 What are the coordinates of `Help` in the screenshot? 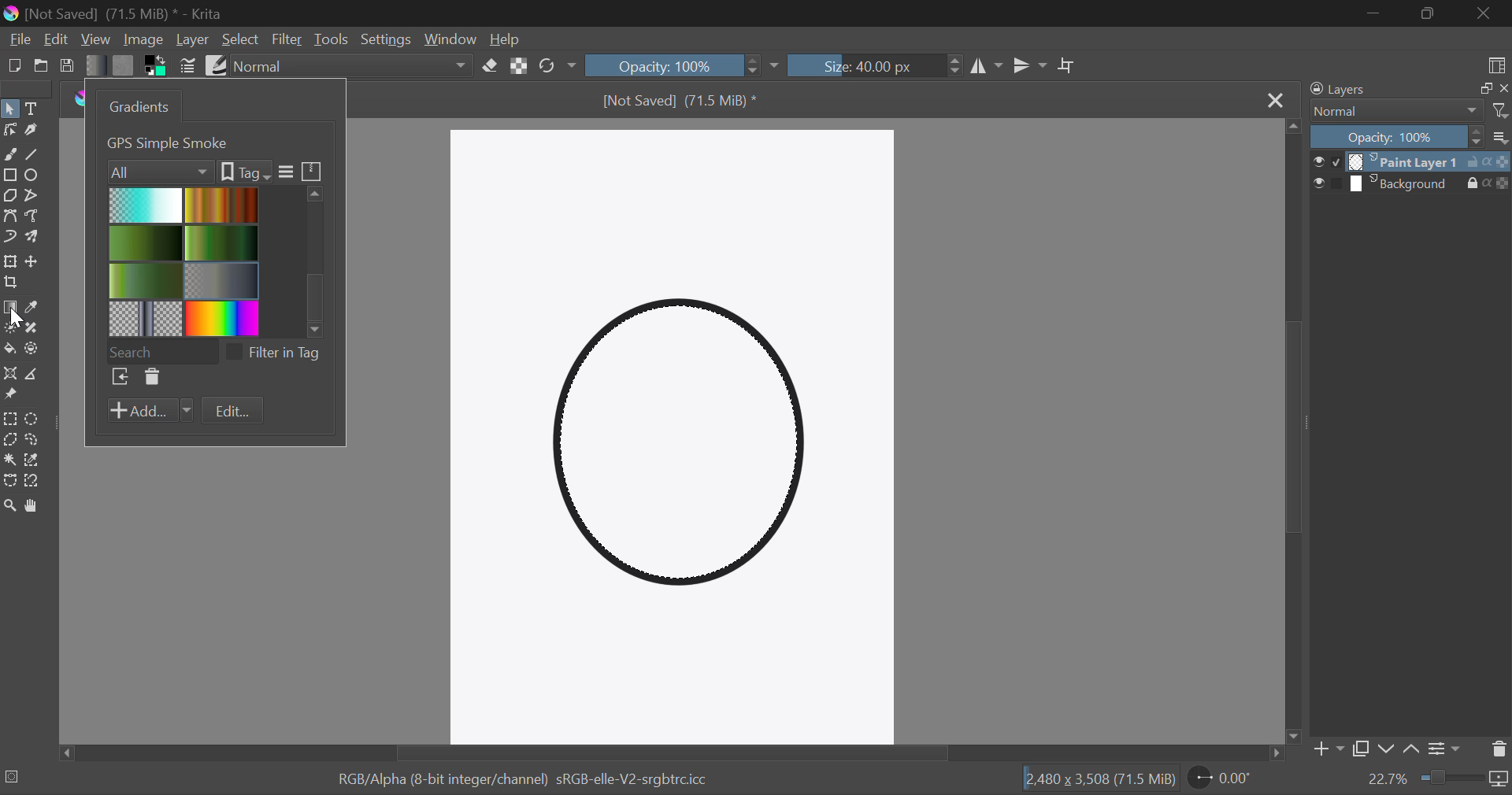 It's located at (509, 39).